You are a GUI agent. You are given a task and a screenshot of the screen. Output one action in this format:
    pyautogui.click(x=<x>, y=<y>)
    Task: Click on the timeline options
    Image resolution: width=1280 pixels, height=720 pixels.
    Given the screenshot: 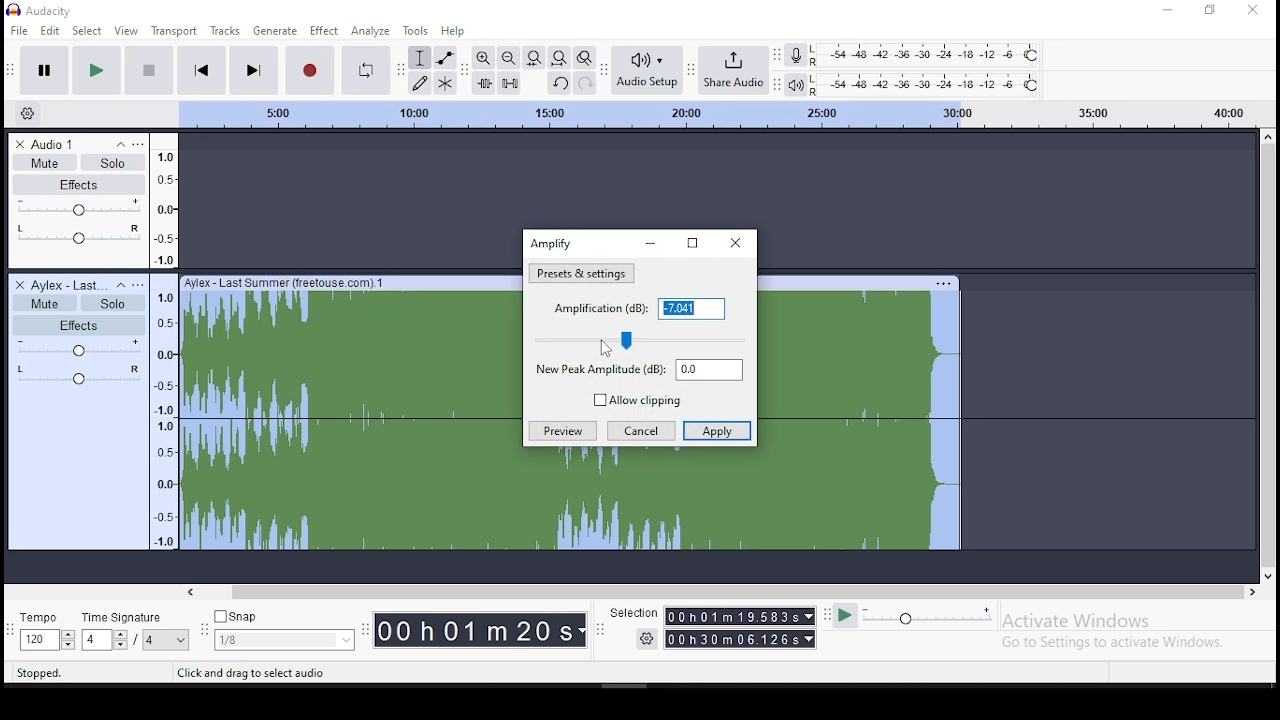 What is the action you would take?
    pyautogui.click(x=27, y=114)
    